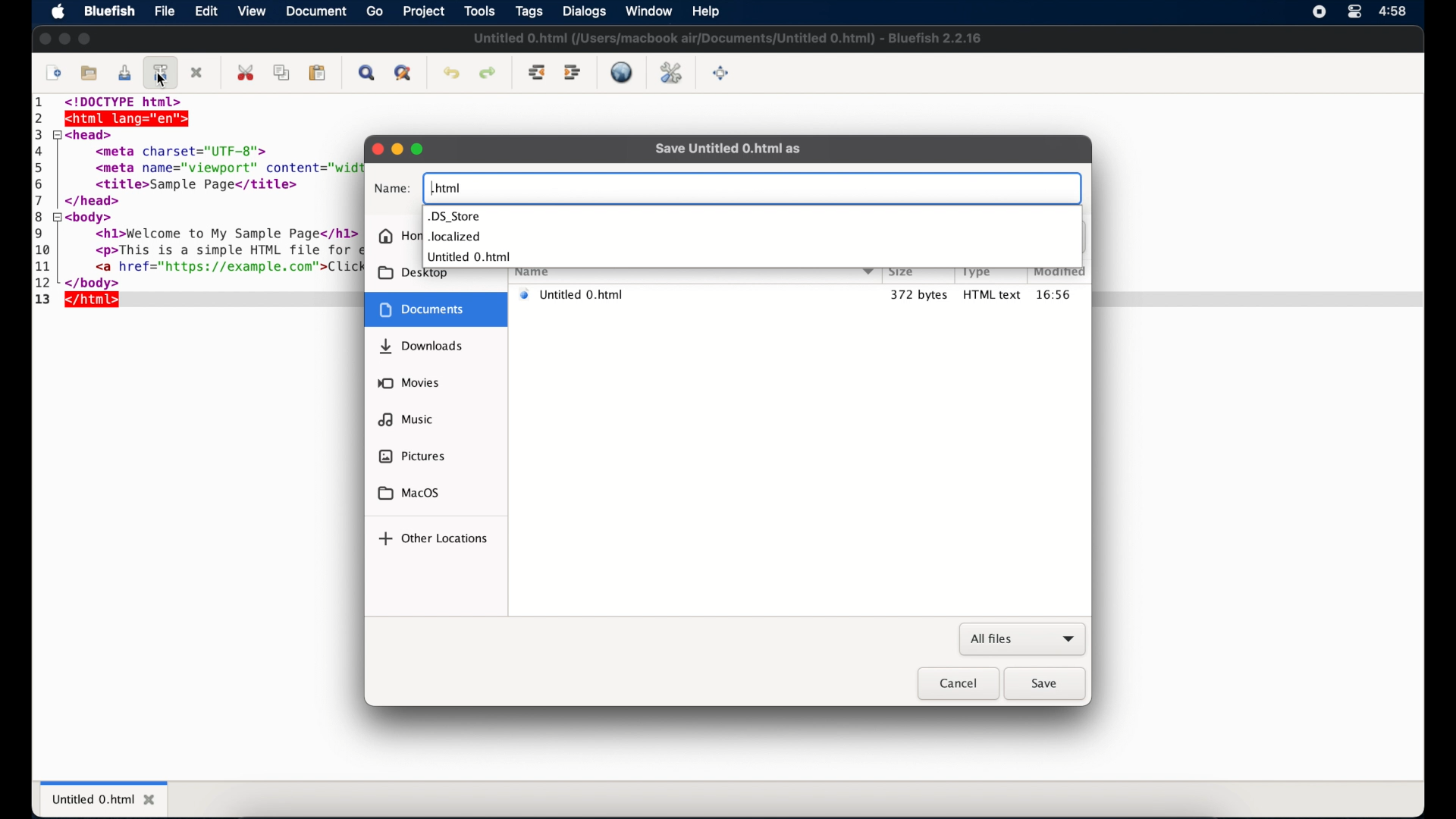 The width and height of the screenshot is (1456, 819). Describe the element at coordinates (58, 12) in the screenshot. I see `apple icon` at that location.